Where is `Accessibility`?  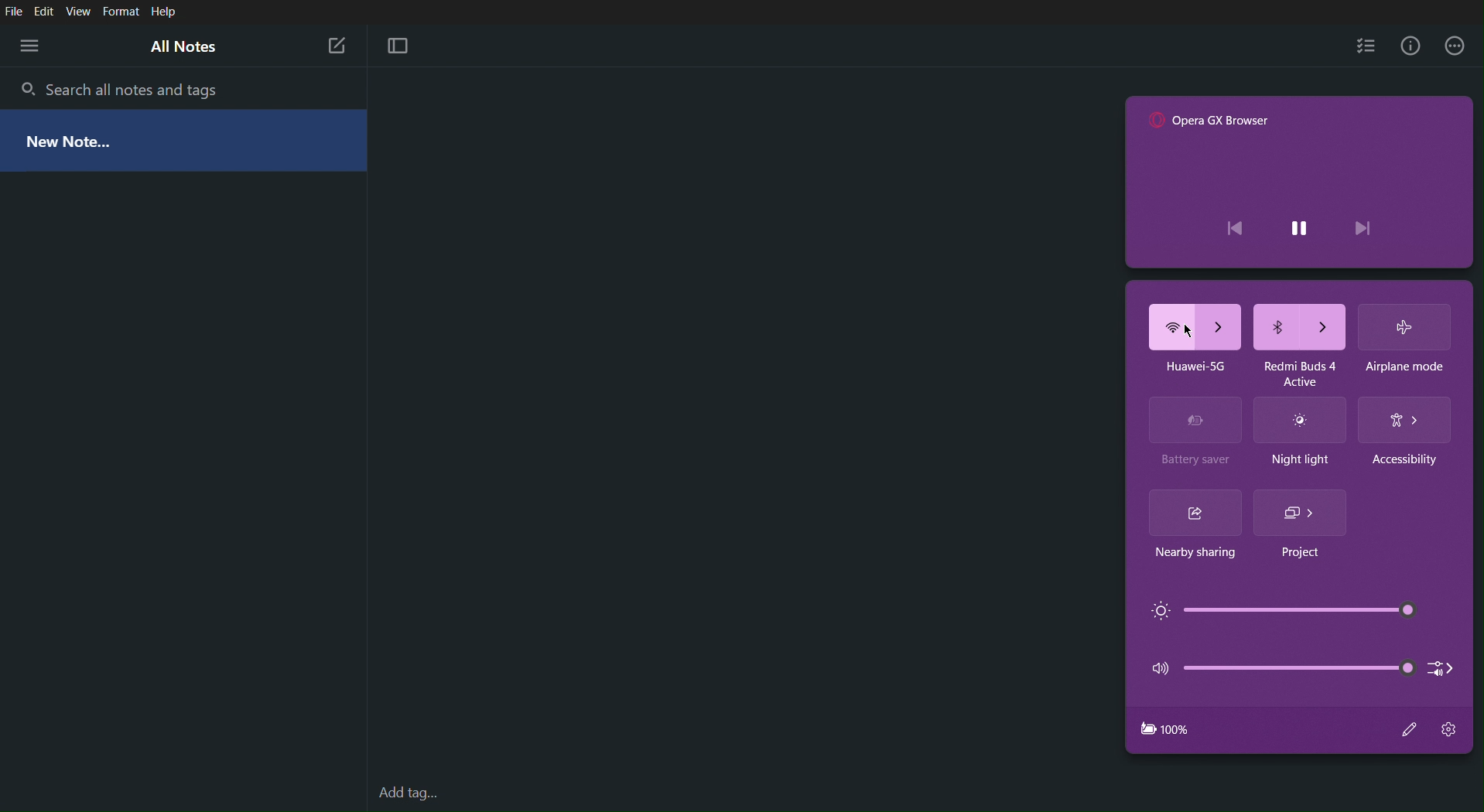
Accessibility is located at coordinates (1406, 418).